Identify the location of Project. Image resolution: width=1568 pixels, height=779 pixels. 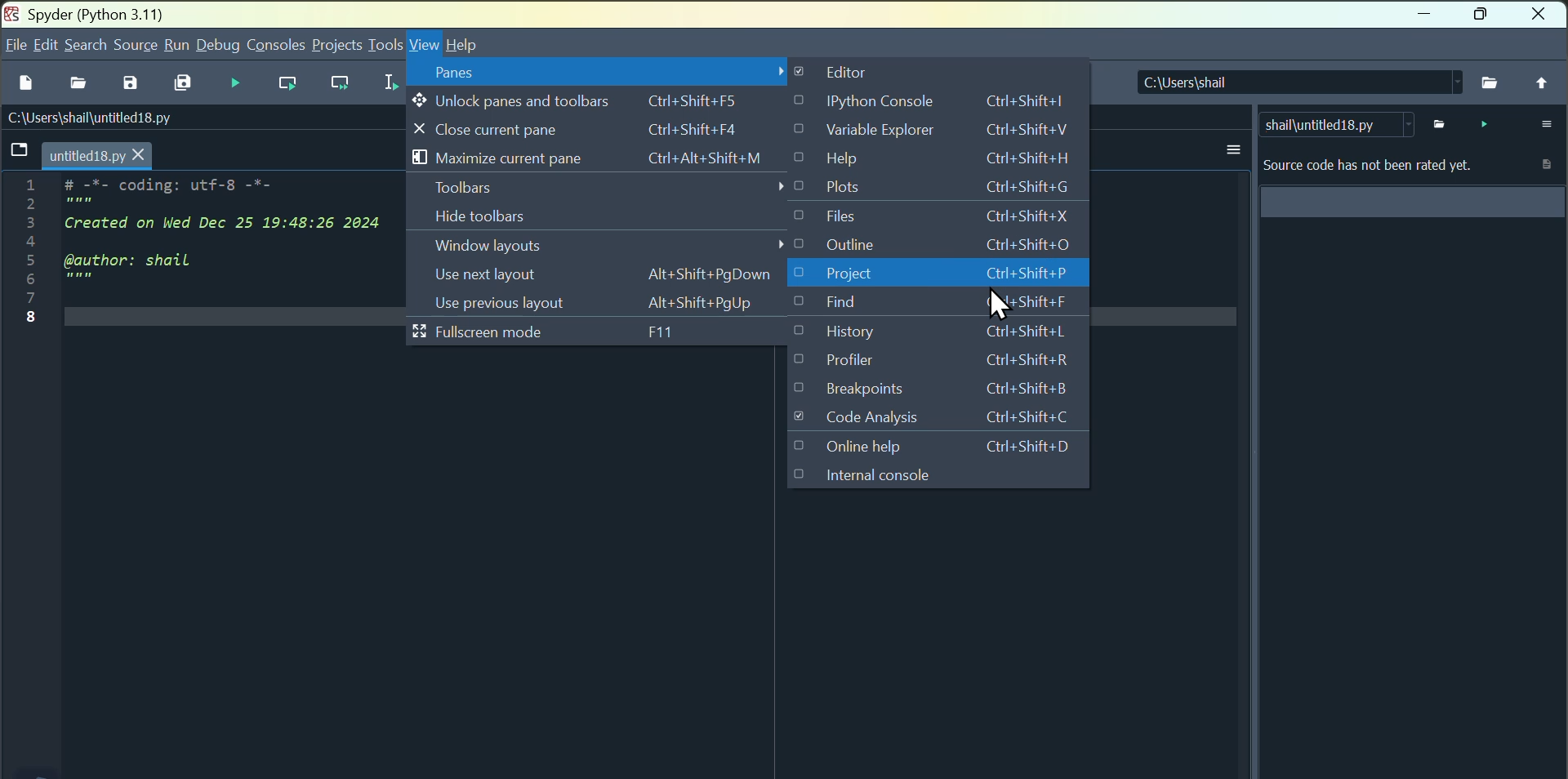
(339, 44).